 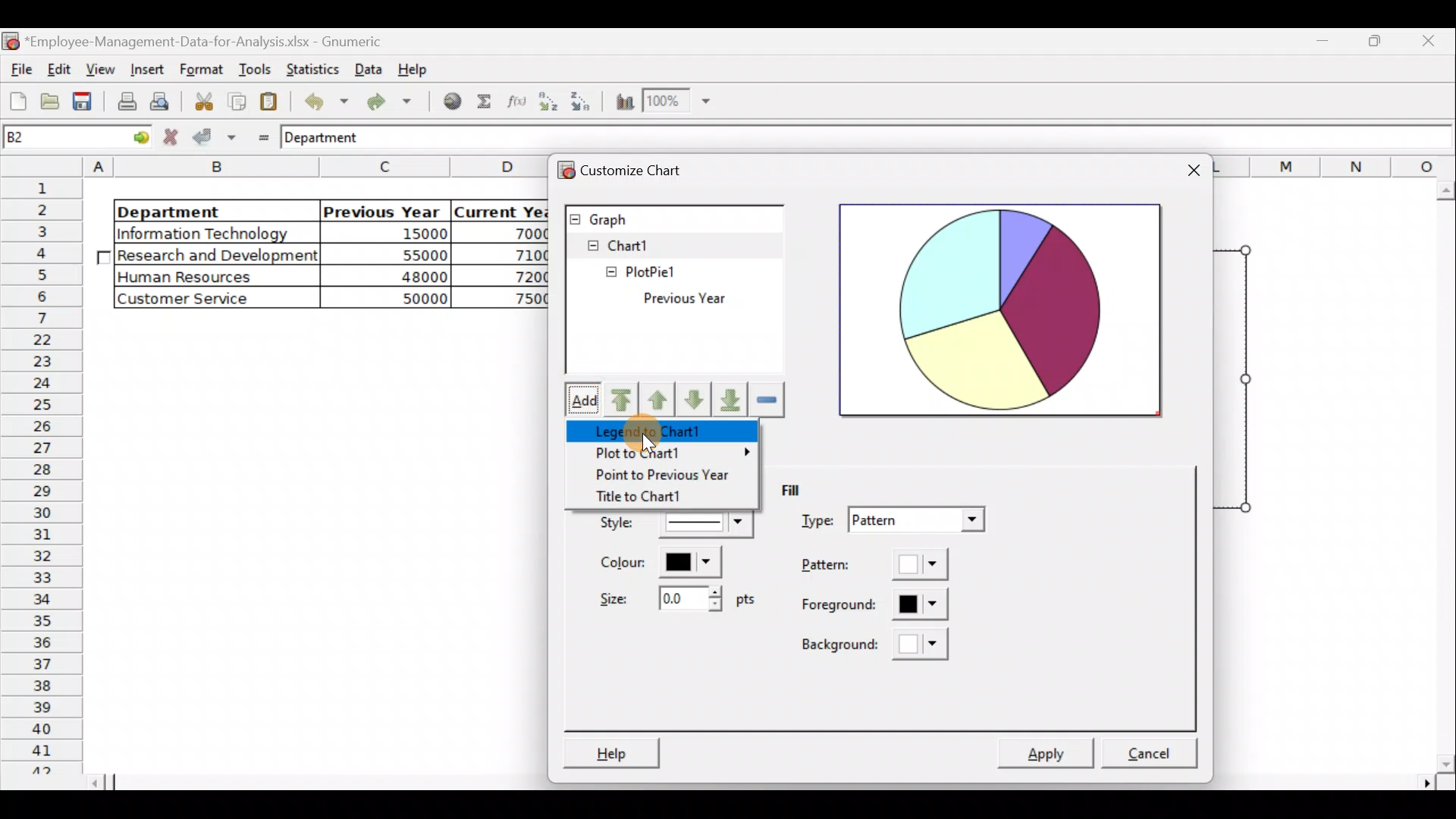 What do you see at coordinates (215, 137) in the screenshot?
I see `Accept change` at bounding box center [215, 137].